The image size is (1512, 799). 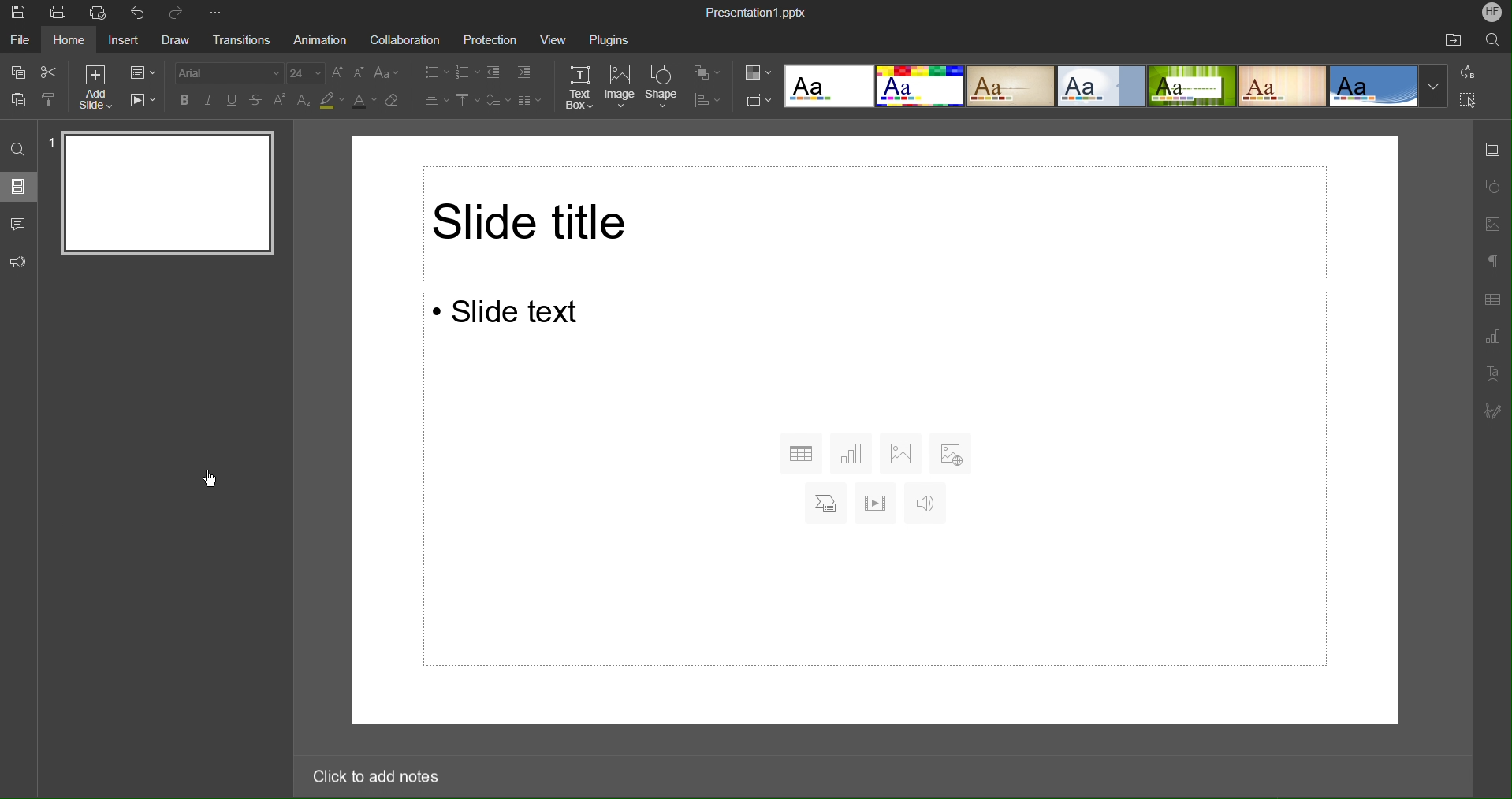 What do you see at coordinates (19, 224) in the screenshot?
I see `Comments` at bounding box center [19, 224].